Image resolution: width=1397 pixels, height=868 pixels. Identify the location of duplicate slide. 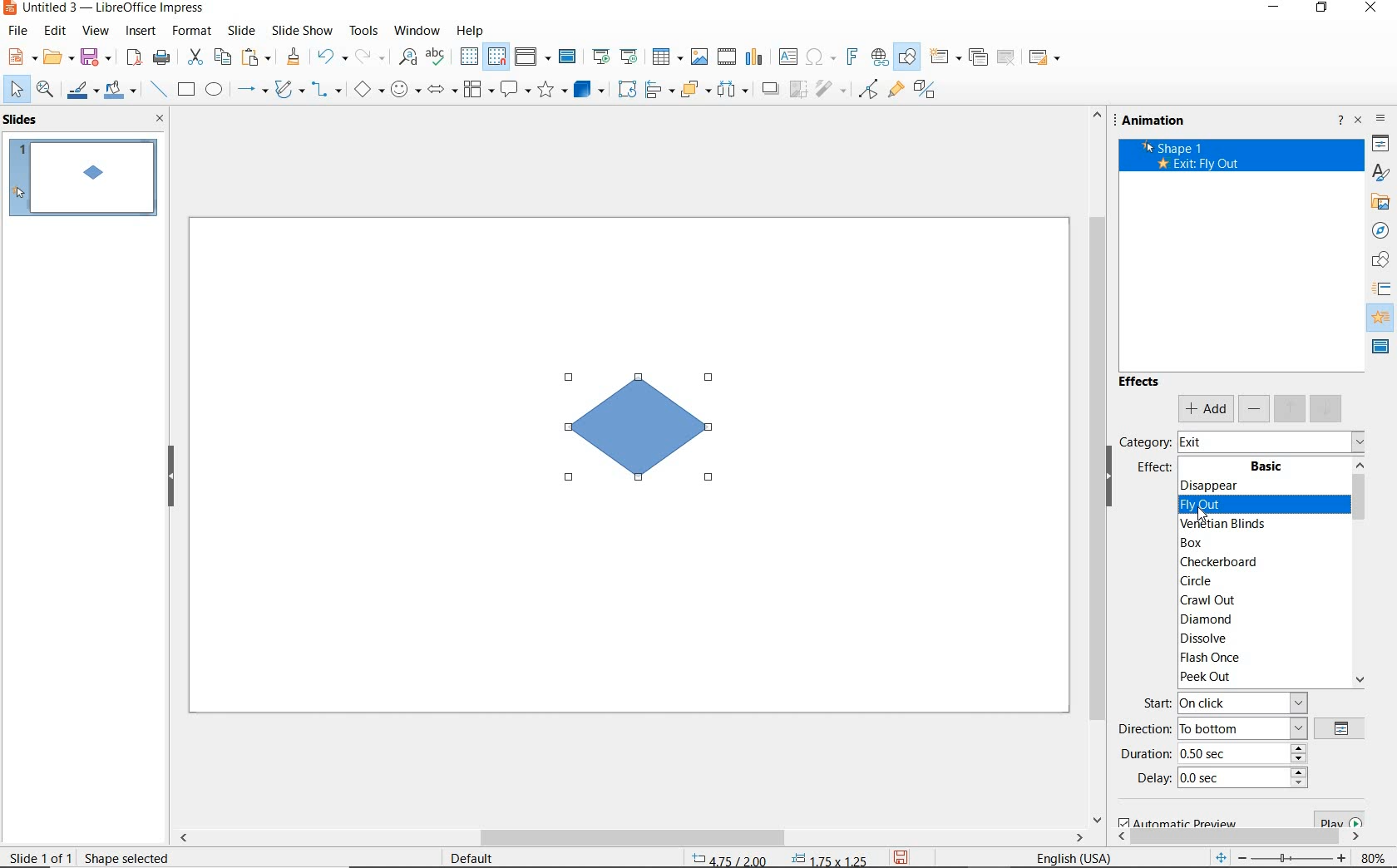
(978, 57).